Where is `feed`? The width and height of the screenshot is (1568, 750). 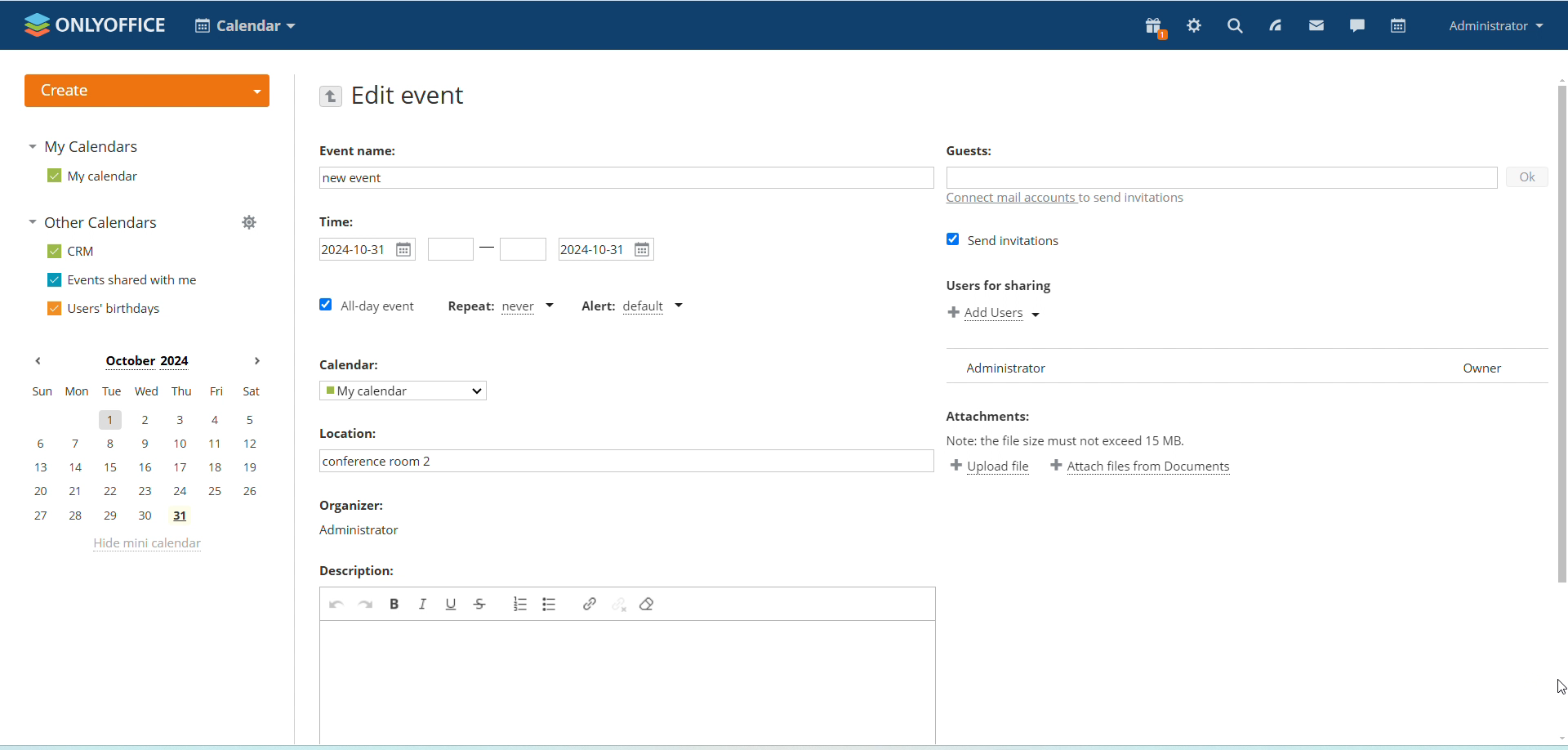 feed is located at coordinates (1276, 27).